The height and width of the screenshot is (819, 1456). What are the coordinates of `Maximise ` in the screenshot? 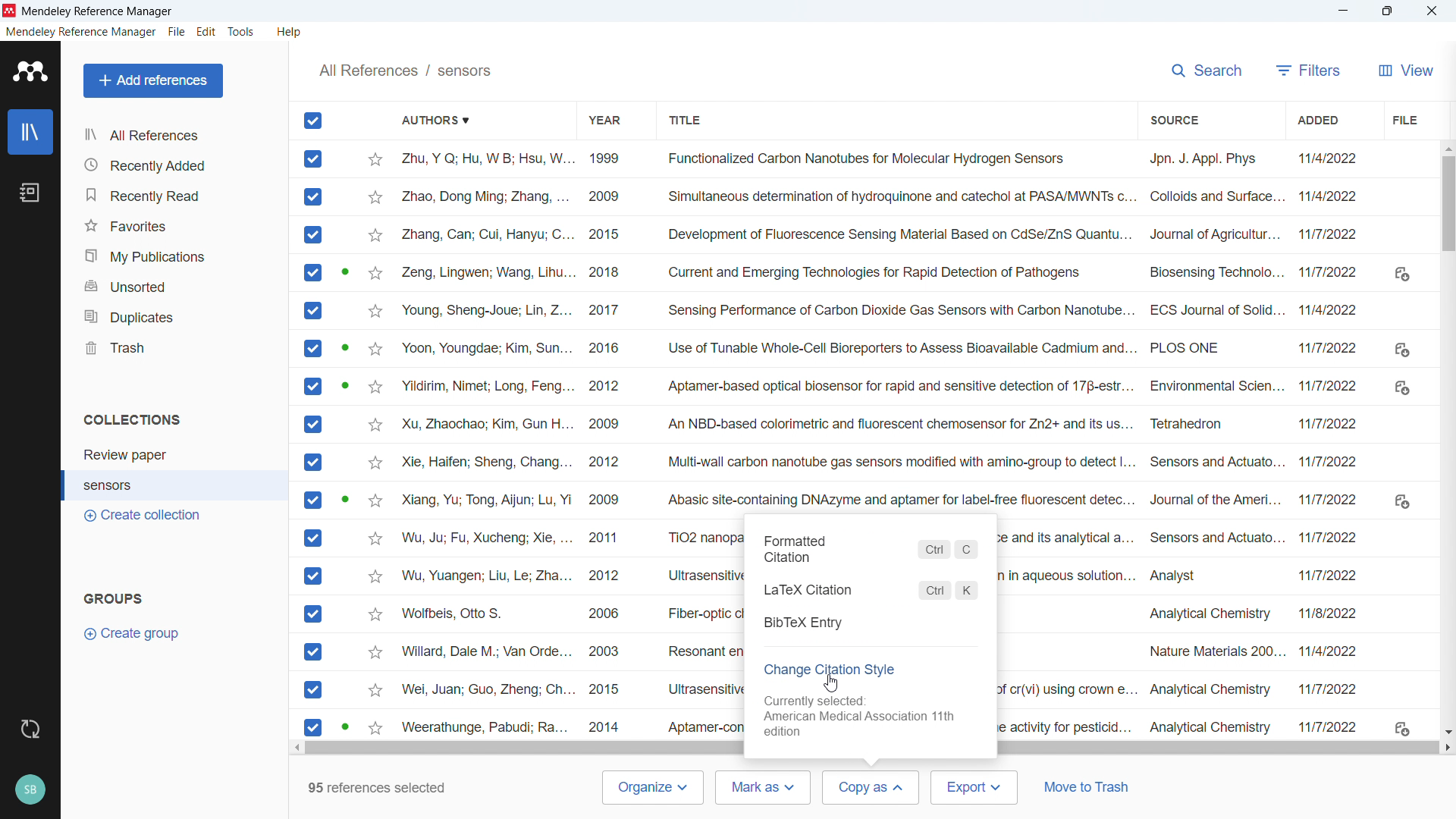 It's located at (1385, 11).